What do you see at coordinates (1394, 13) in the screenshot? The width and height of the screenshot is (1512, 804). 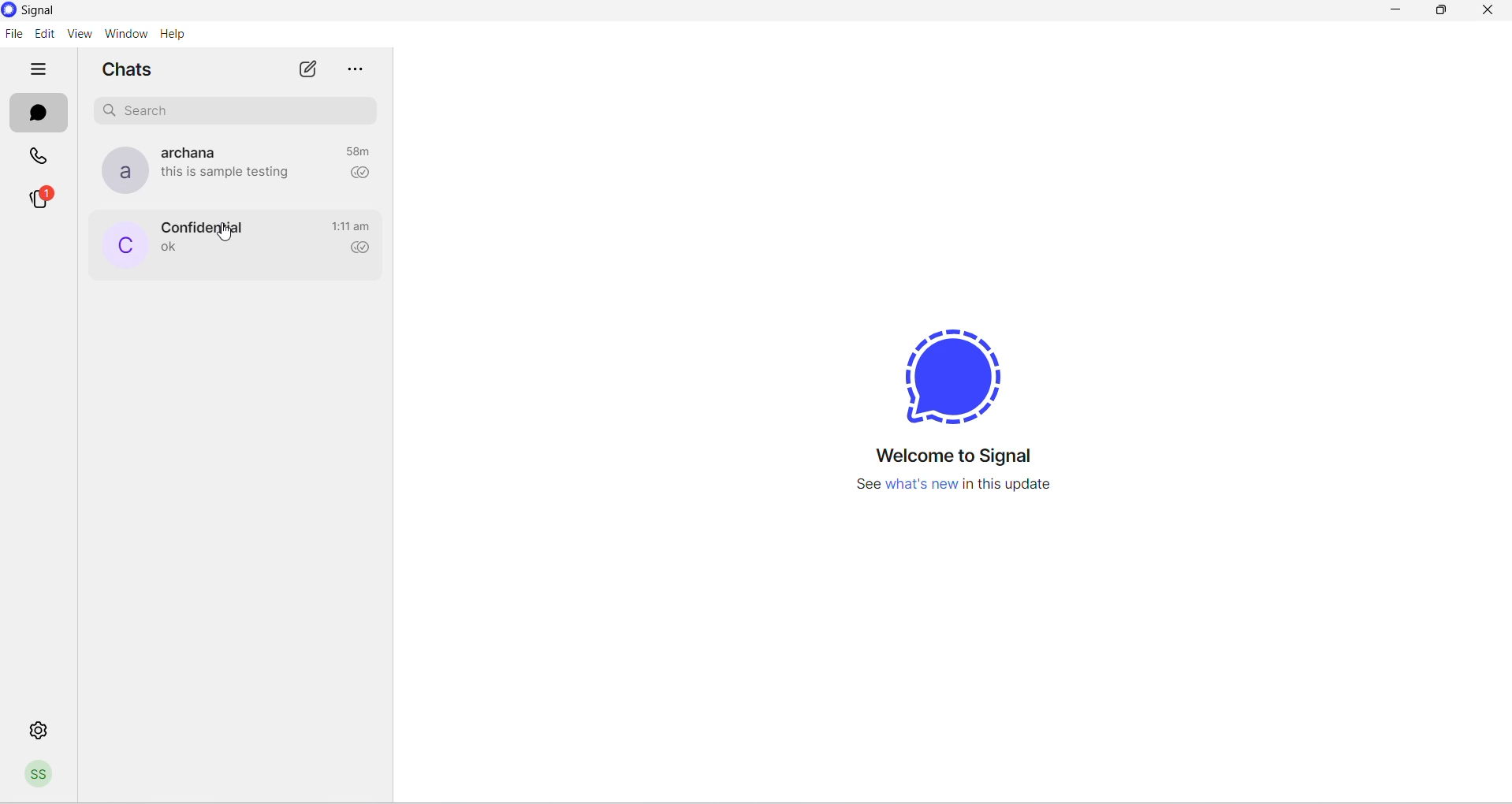 I see `minimize` at bounding box center [1394, 13].